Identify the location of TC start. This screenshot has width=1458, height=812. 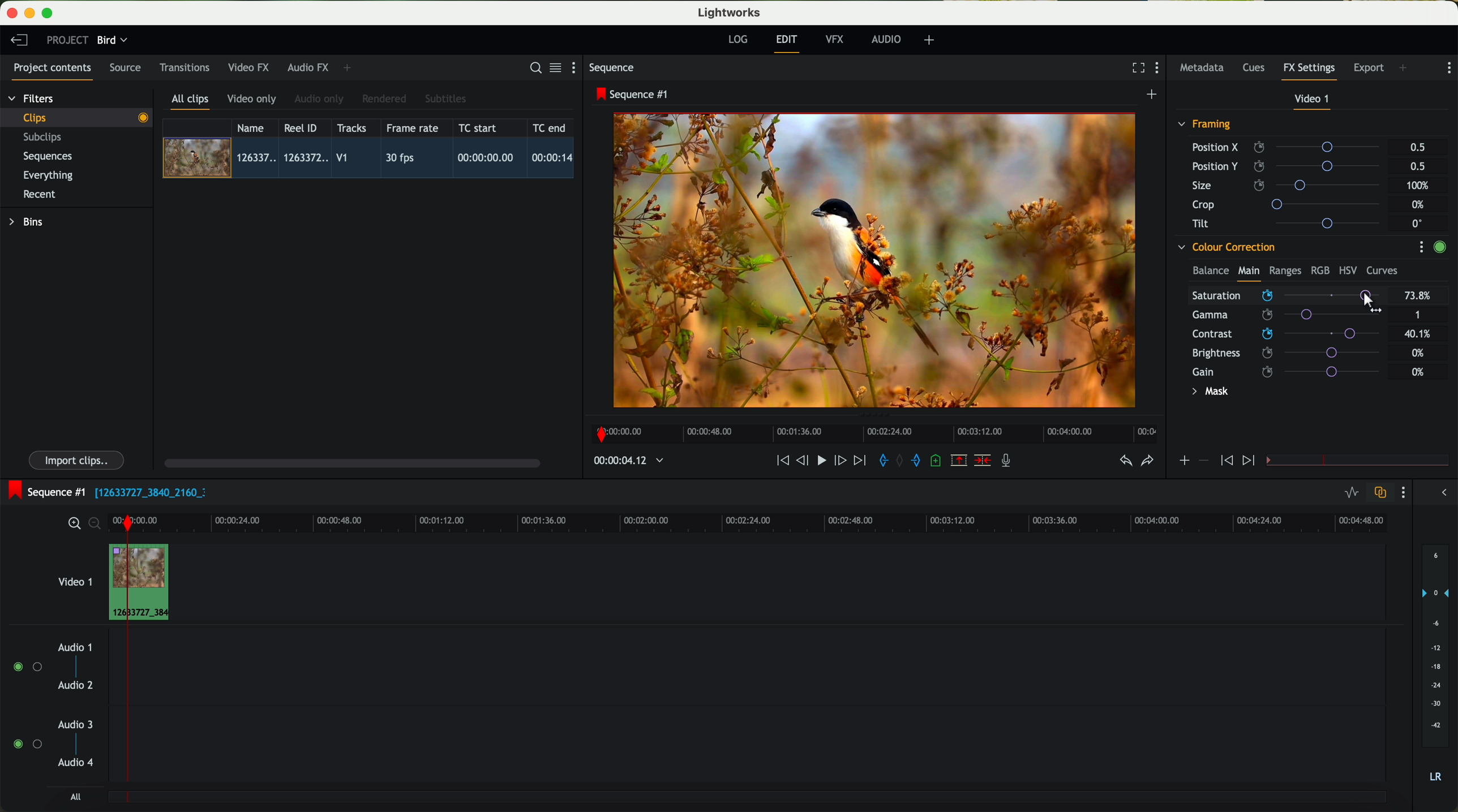
(479, 127).